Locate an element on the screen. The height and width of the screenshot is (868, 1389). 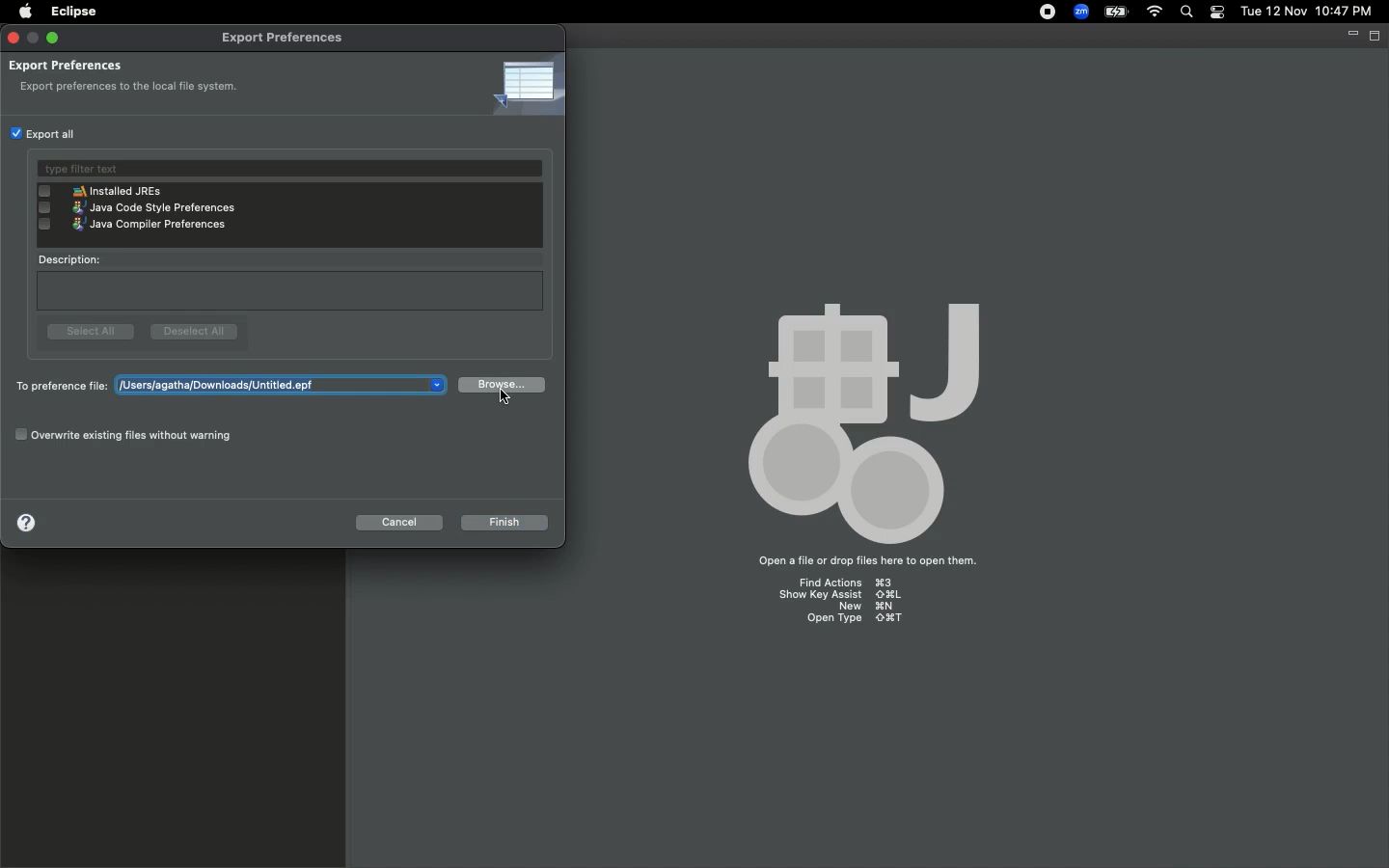
Eclipse is located at coordinates (75, 12).